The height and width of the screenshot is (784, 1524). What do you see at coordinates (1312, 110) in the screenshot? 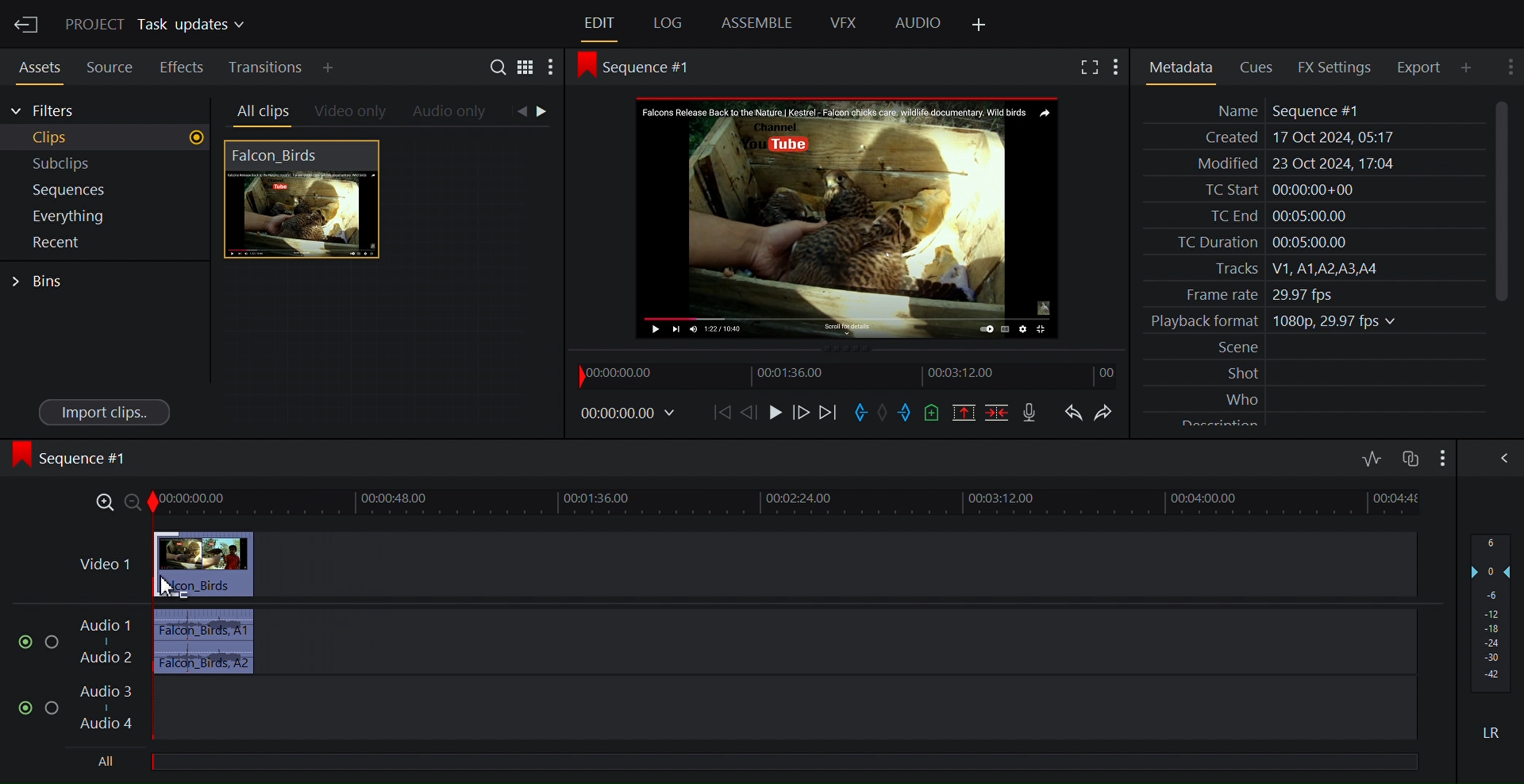
I see `Name` at bounding box center [1312, 110].